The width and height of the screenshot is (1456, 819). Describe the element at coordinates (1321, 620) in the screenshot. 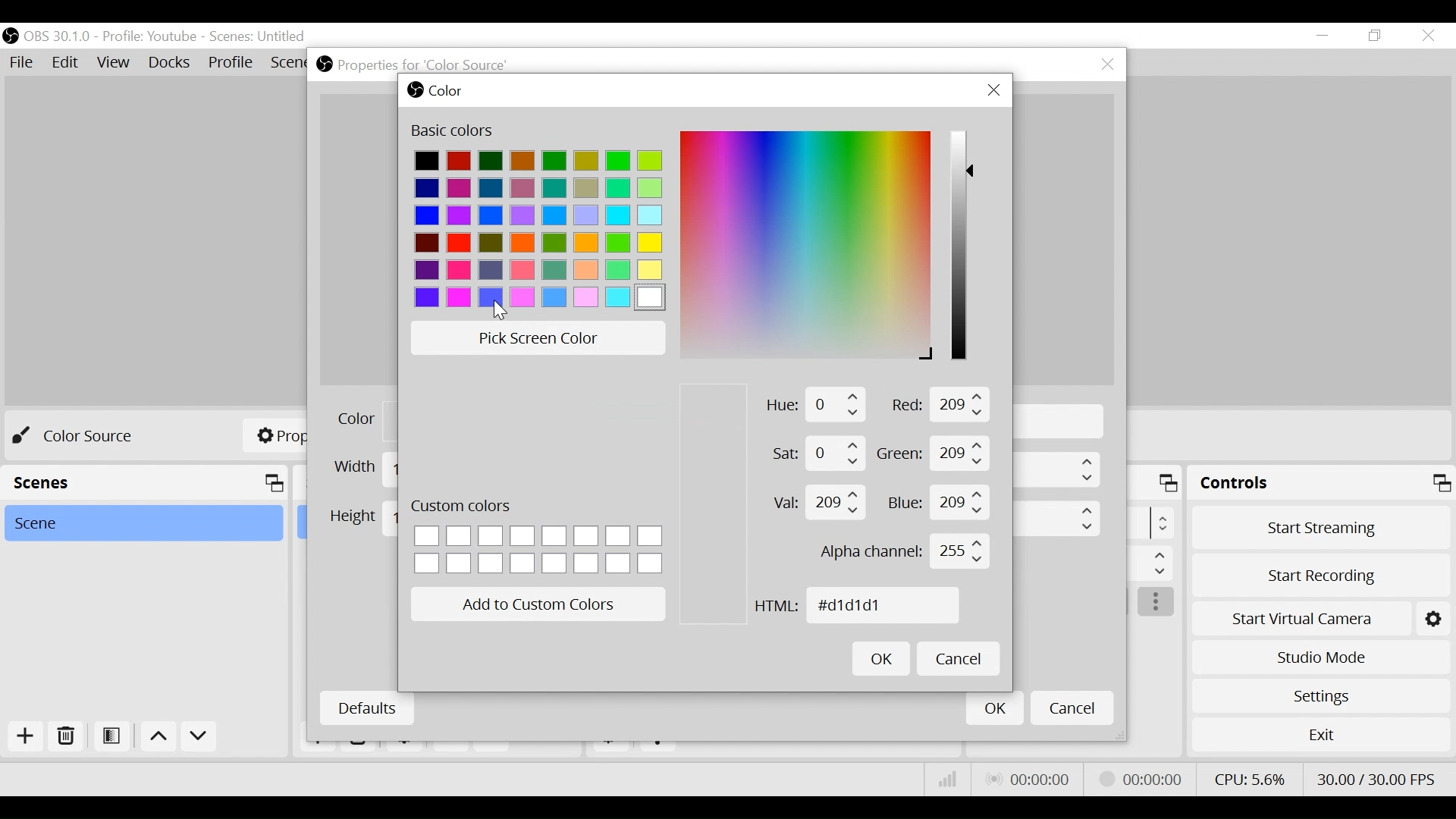

I see `Start Virtual Camera` at that location.